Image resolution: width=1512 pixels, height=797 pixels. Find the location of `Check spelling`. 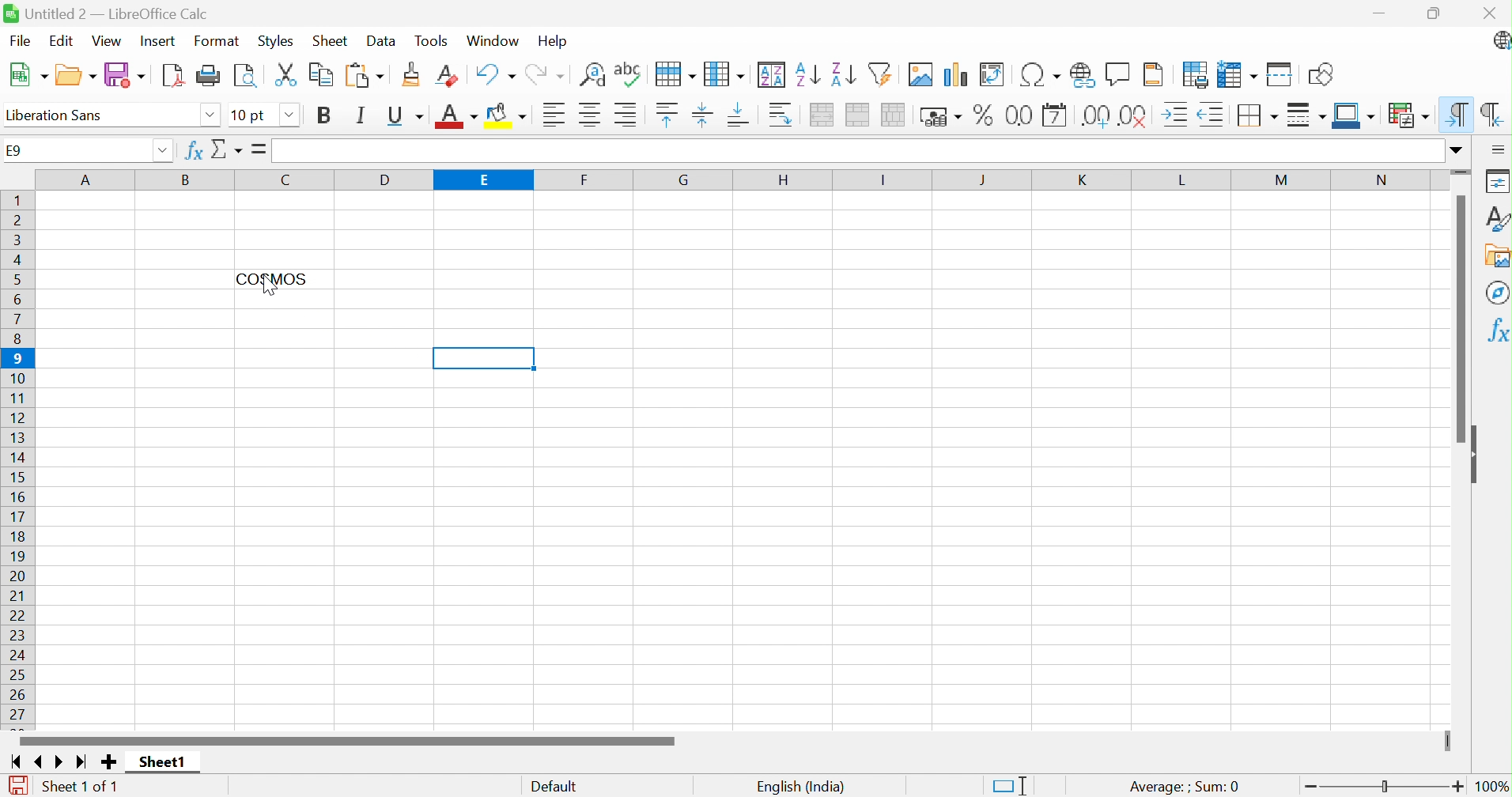

Check spelling is located at coordinates (629, 74).